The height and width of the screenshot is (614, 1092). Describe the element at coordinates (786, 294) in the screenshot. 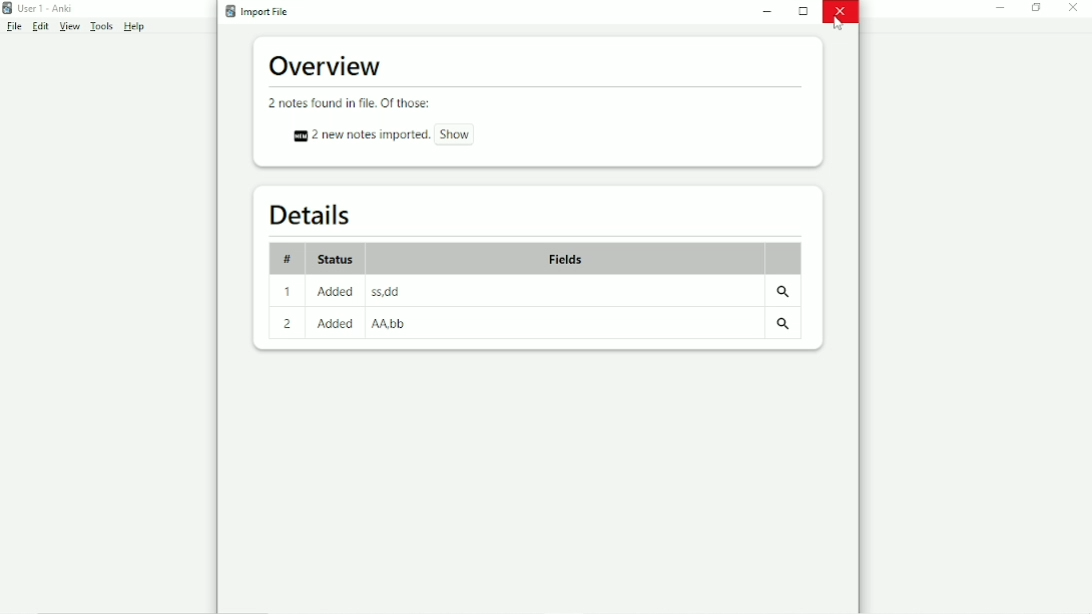

I see `Search` at that location.